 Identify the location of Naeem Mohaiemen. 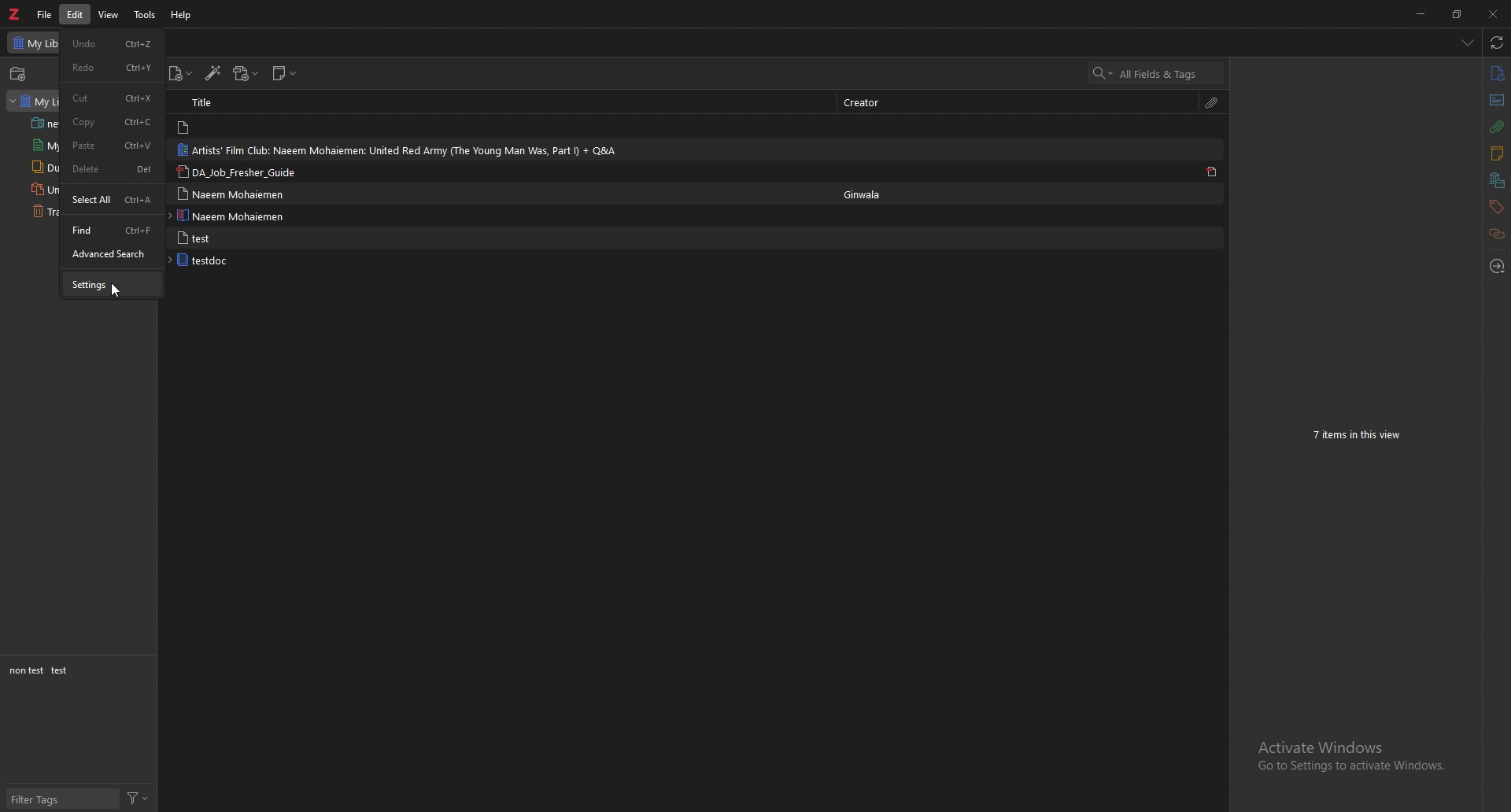
(238, 216).